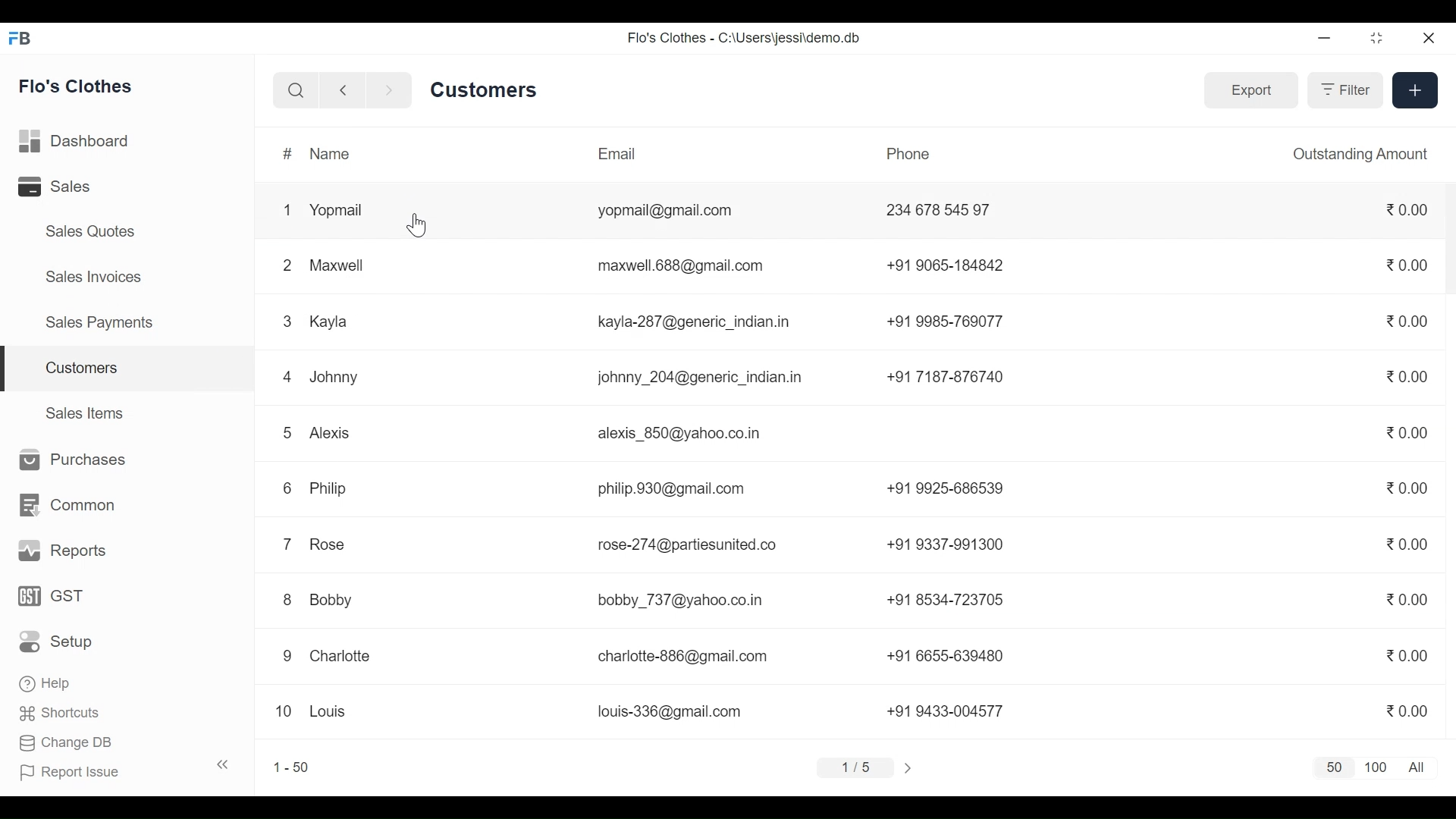 This screenshot has height=819, width=1456. Describe the element at coordinates (53, 598) in the screenshot. I see `GST` at that location.